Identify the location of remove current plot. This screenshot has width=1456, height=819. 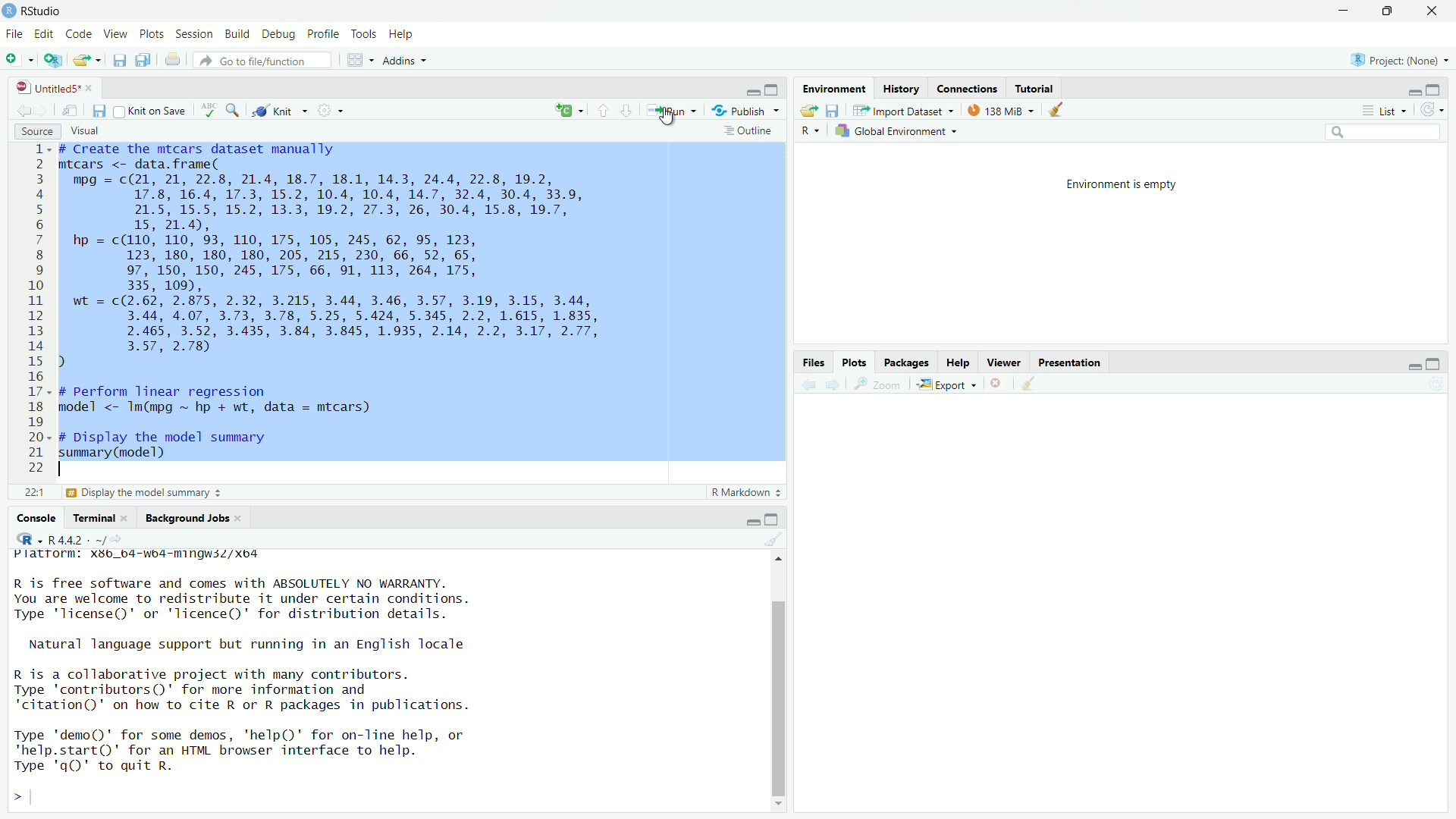
(999, 383).